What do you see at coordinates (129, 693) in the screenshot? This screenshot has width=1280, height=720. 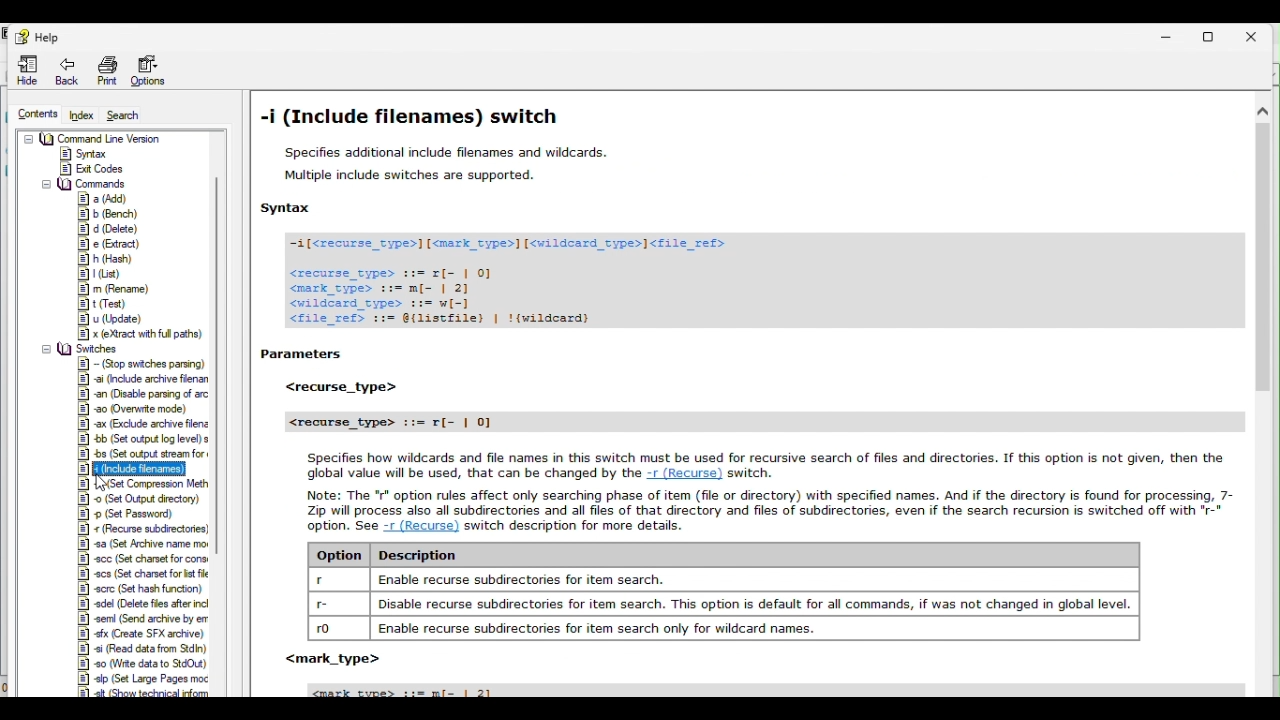 I see `show technical info` at bounding box center [129, 693].